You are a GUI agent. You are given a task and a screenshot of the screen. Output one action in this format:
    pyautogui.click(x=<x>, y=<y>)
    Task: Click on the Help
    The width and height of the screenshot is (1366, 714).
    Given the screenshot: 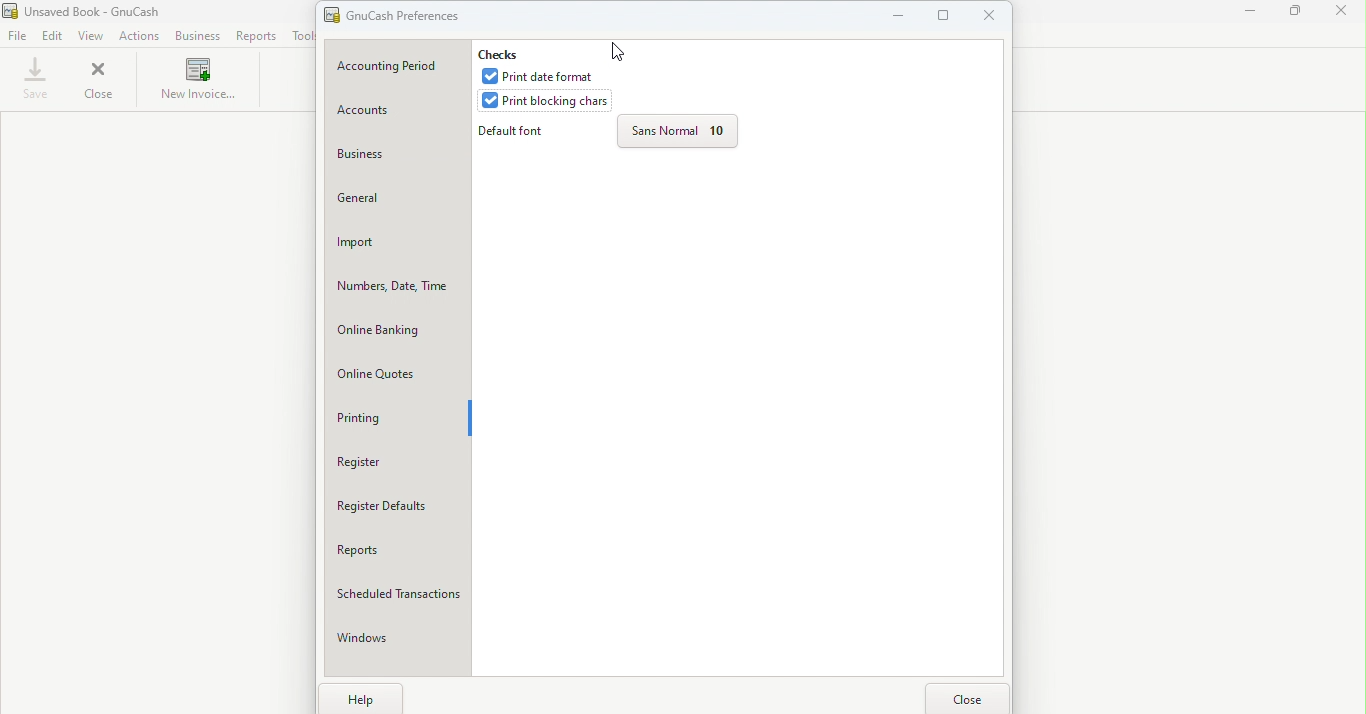 What is the action you would take?
    pyautogui.click(x=361, y=698)
    